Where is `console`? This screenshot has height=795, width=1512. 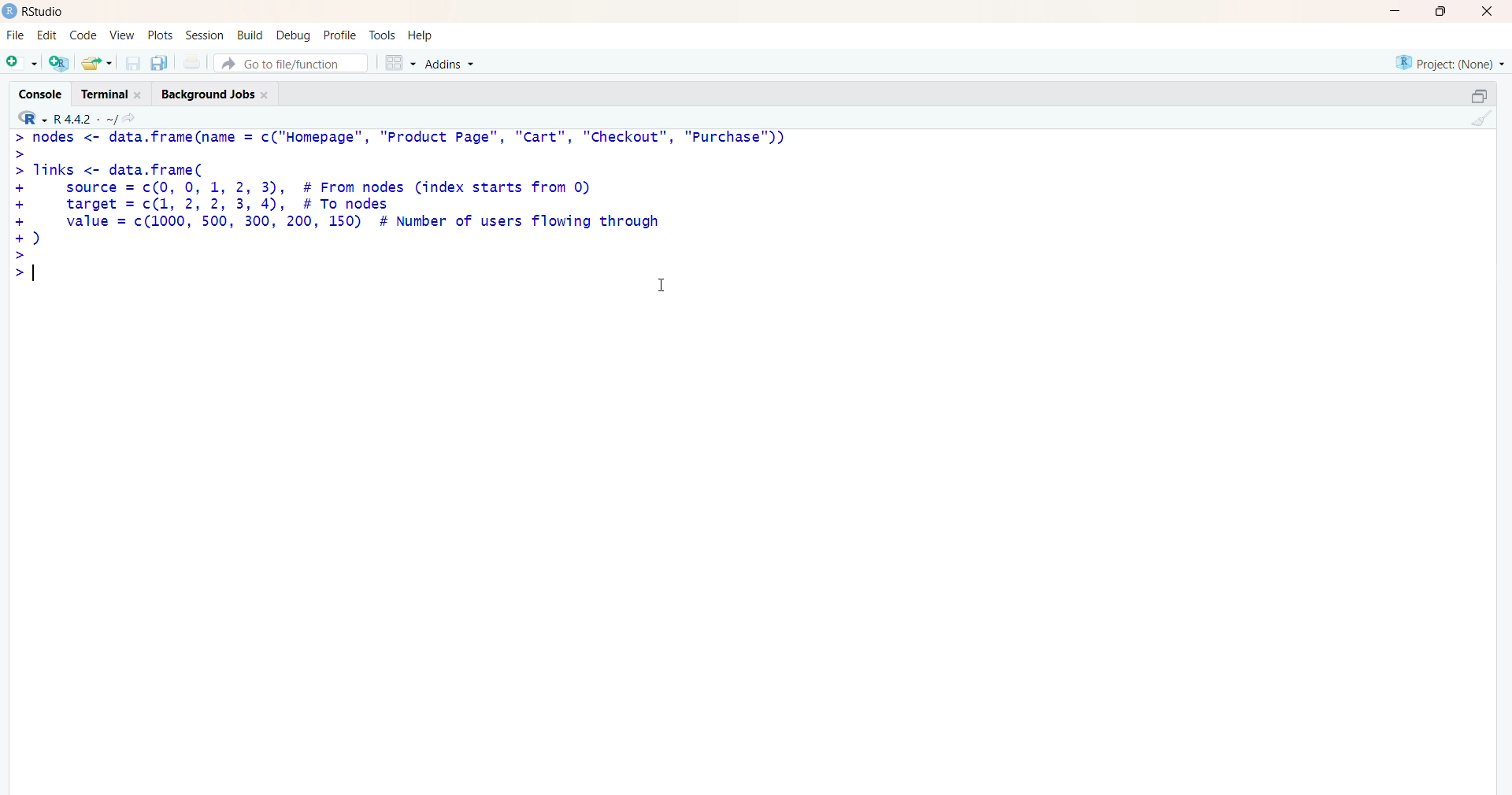
console is located at coordinates (34, 90).